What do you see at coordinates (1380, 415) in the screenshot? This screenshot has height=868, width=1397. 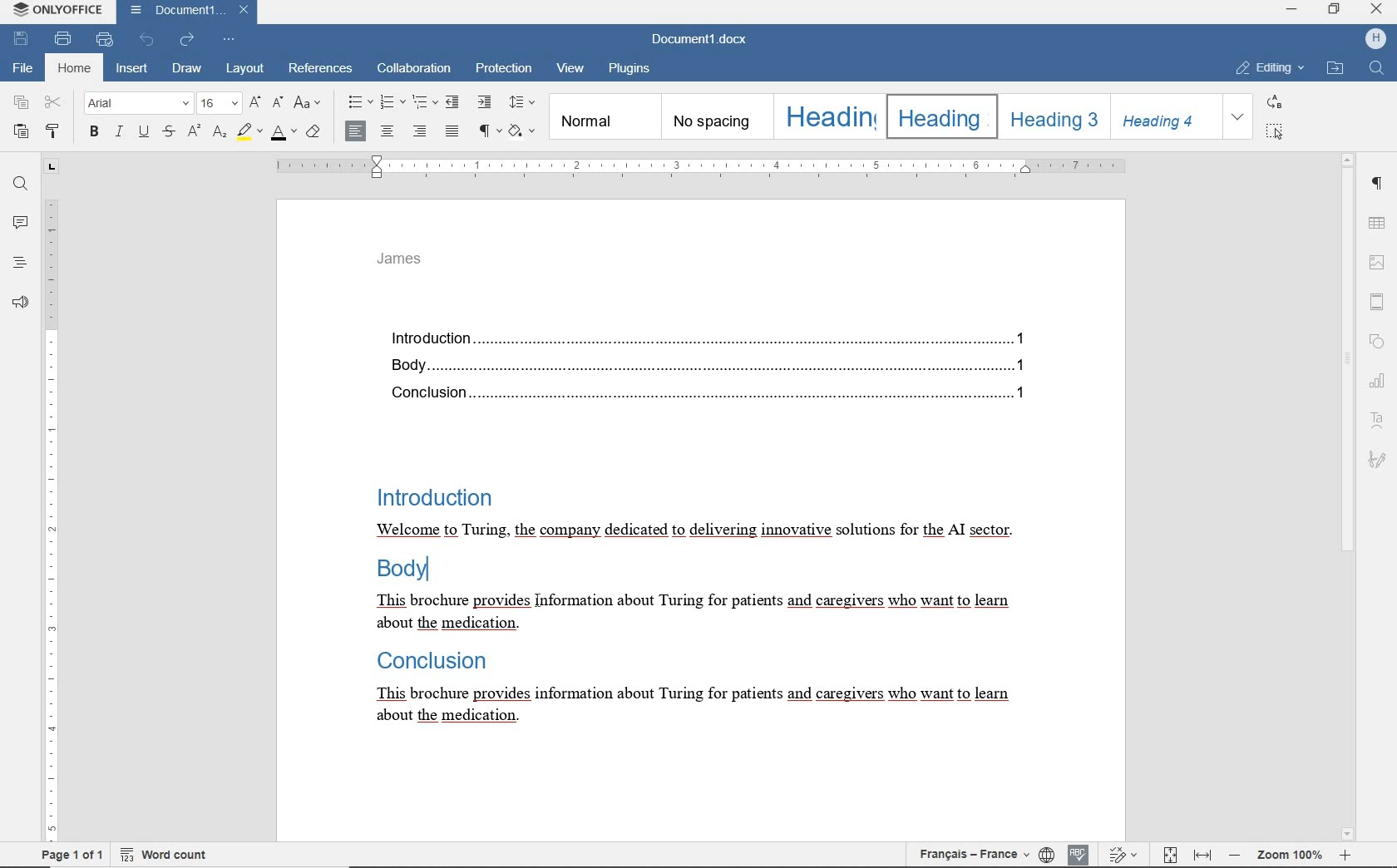 I see `TEXT ART` at bounding box center [1380, 415].